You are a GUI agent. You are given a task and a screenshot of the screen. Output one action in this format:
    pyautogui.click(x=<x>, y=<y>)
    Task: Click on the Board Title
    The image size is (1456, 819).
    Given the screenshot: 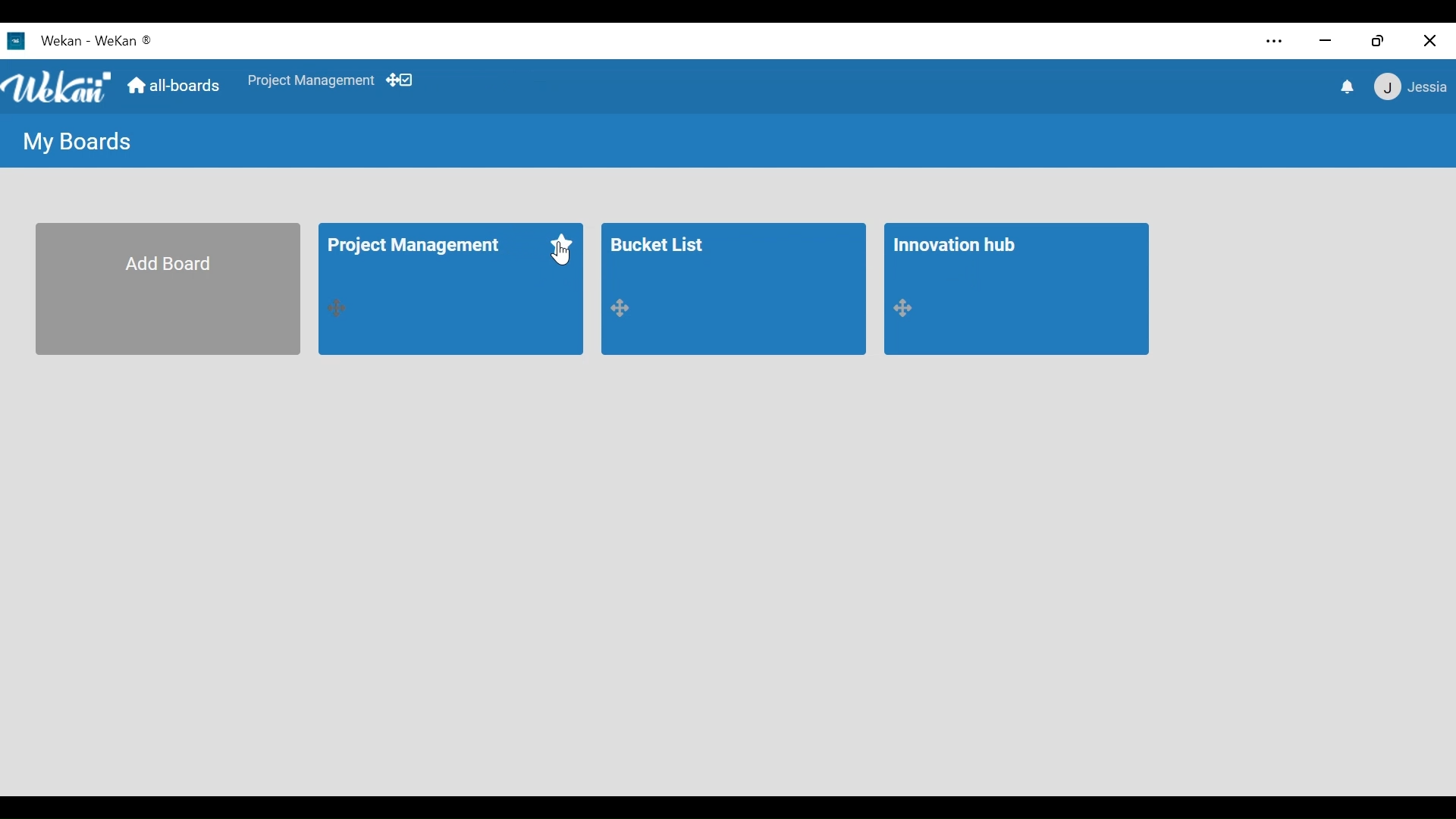 What is the action you would take?
    pyautogui.click(x=416, y=248)
    